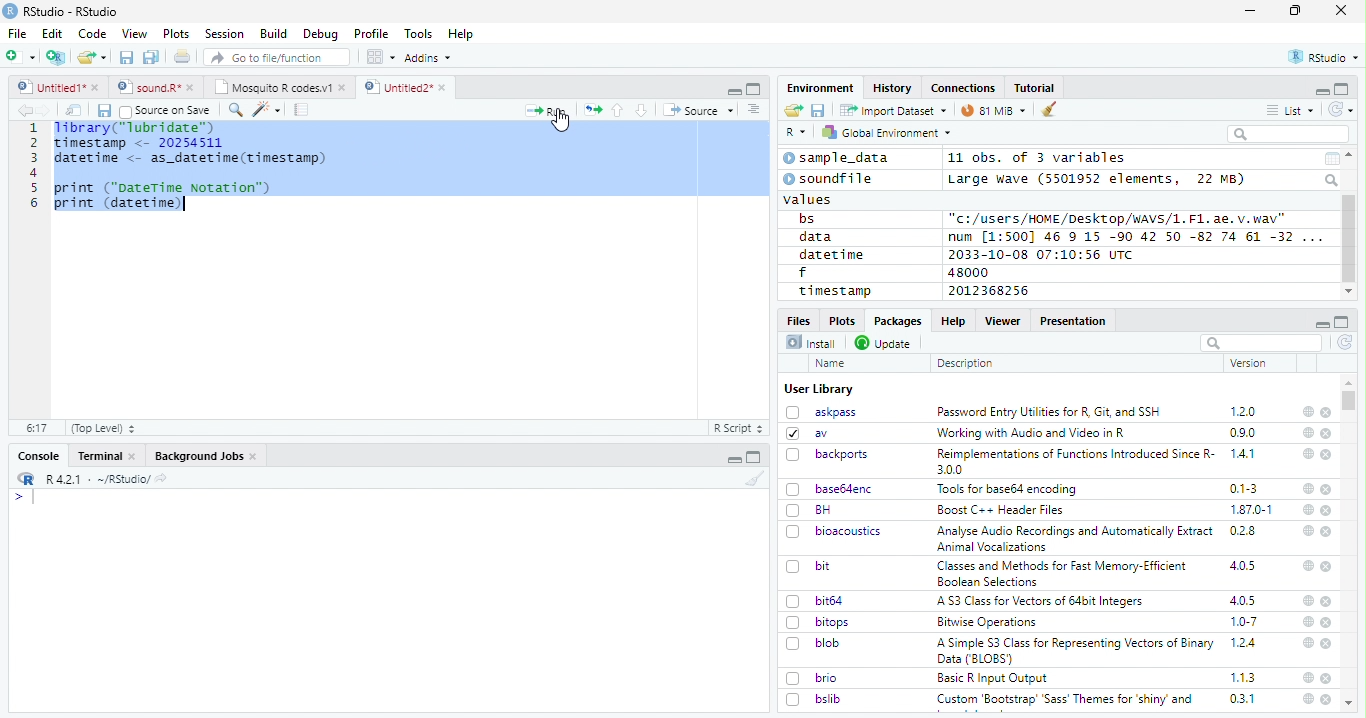 The image size is (1366, 718). I want to click on Help, so click(952, 320).